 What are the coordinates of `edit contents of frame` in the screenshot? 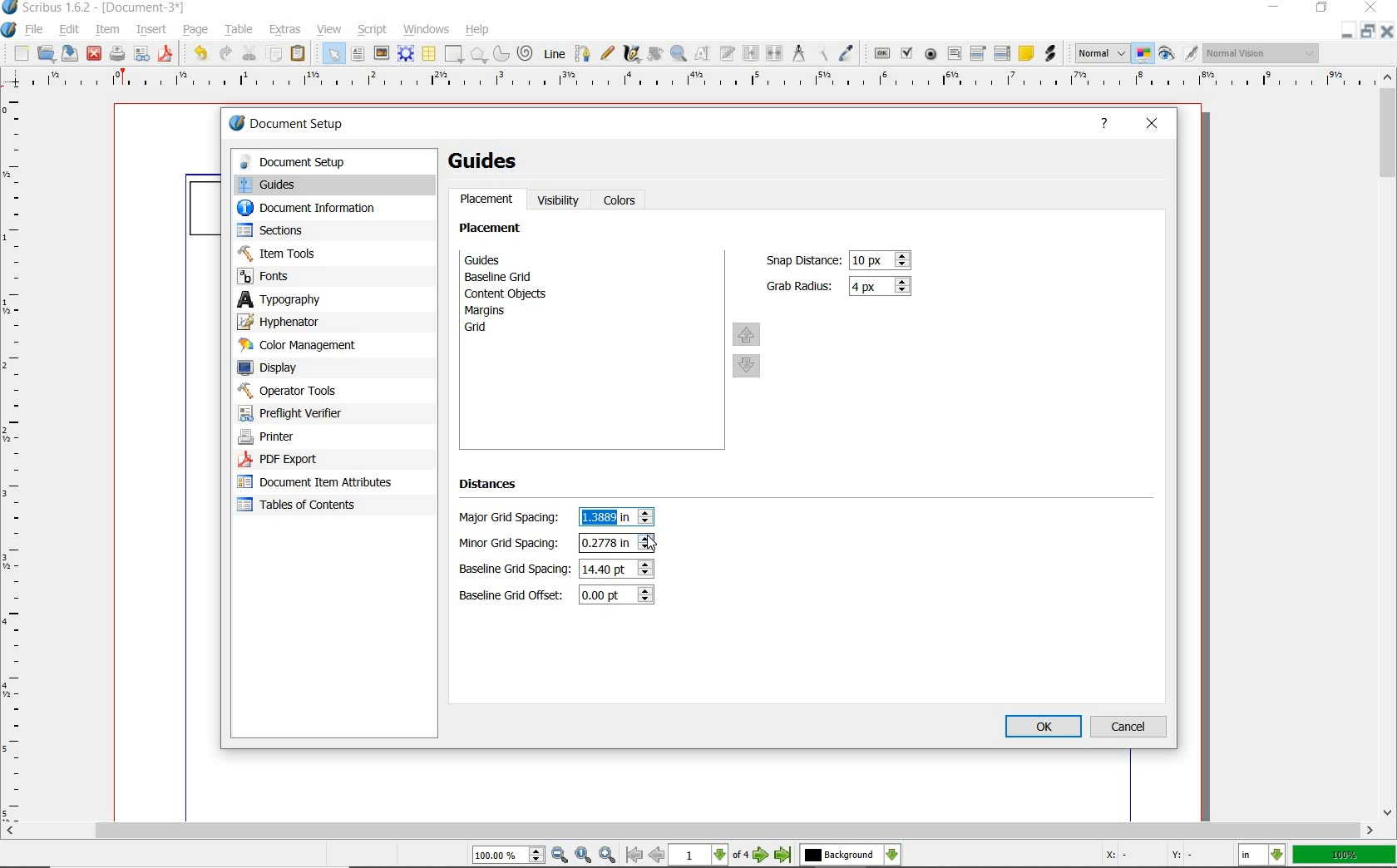 It's located at (703, 53).